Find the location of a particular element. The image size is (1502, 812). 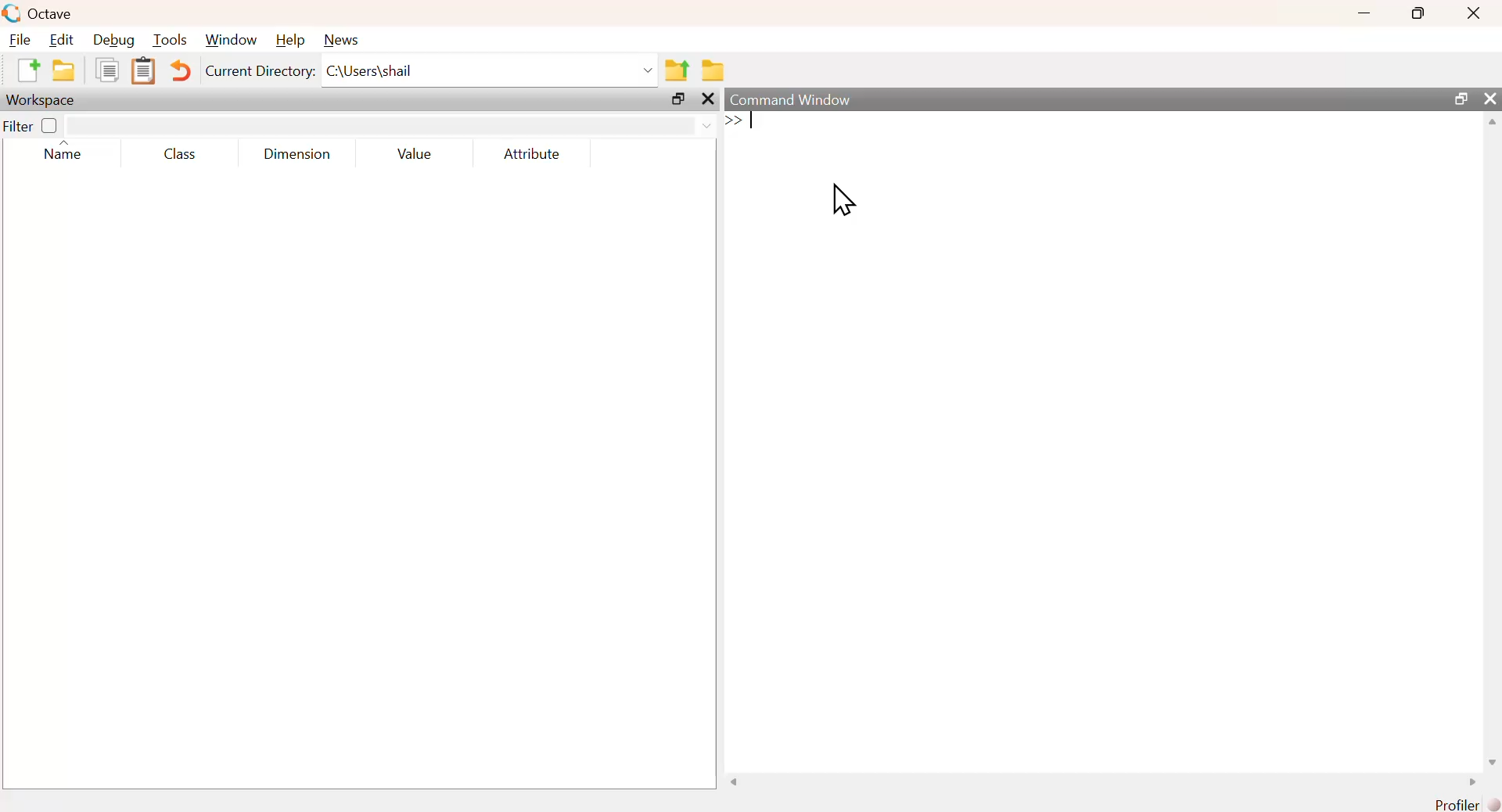

minimize is located at coordinates (1362, 15).